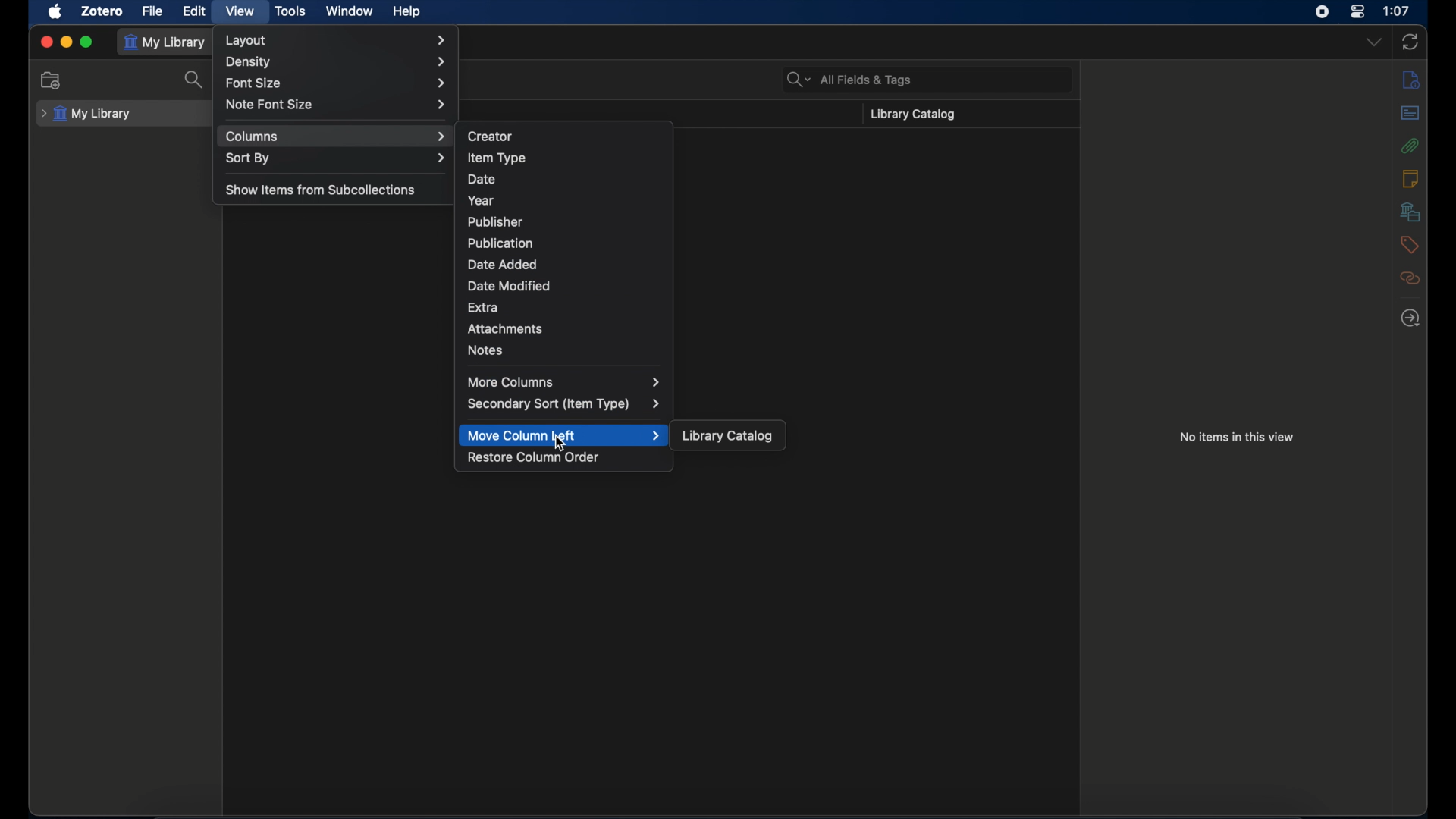 This screenshot has height=819, width=1456. Describe the element at coordinates (1375, 42) in the screenshot. I see `dropdown` at that location.